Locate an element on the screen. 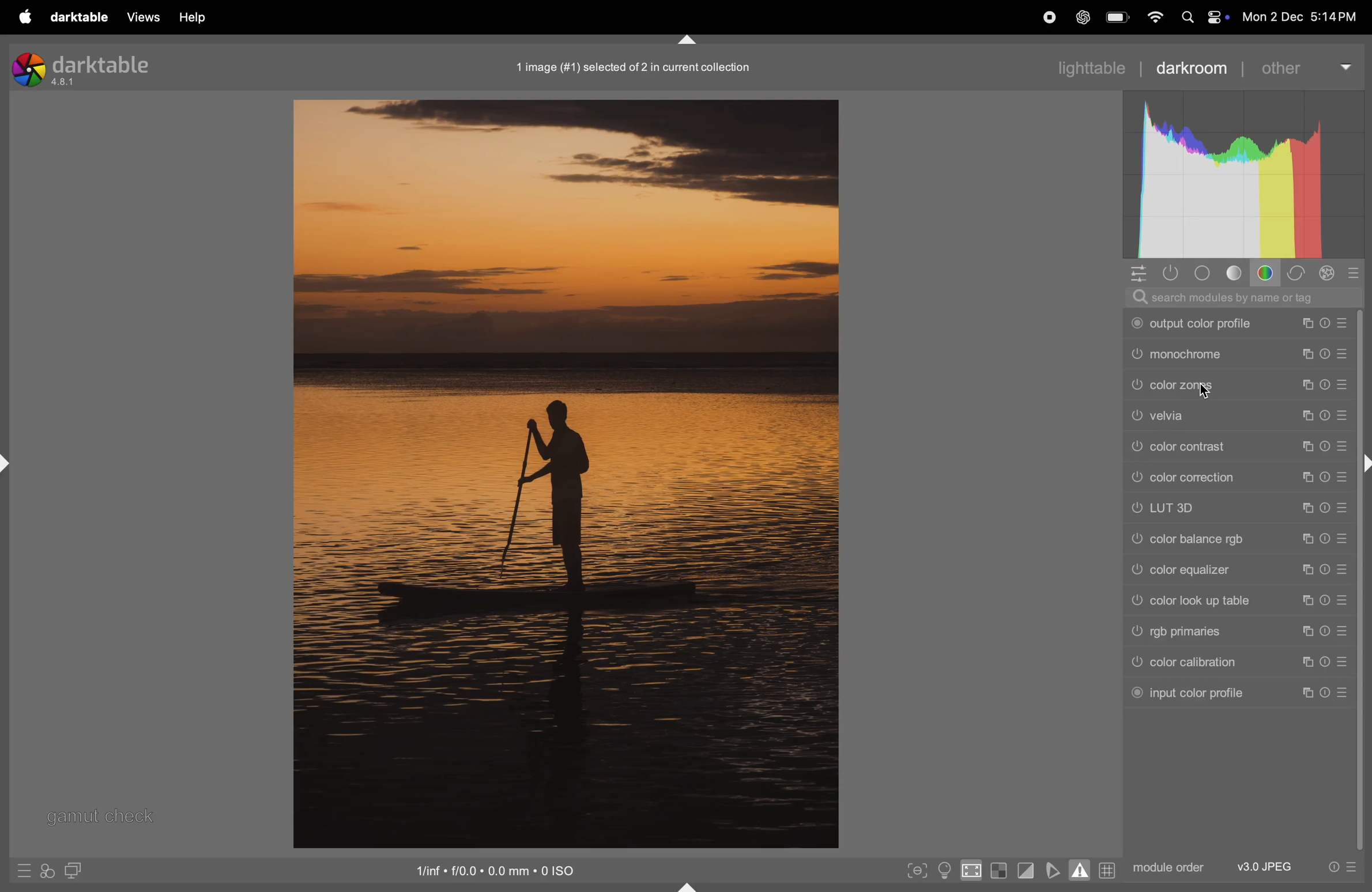  Timer is located at coordinates (1324, 694).